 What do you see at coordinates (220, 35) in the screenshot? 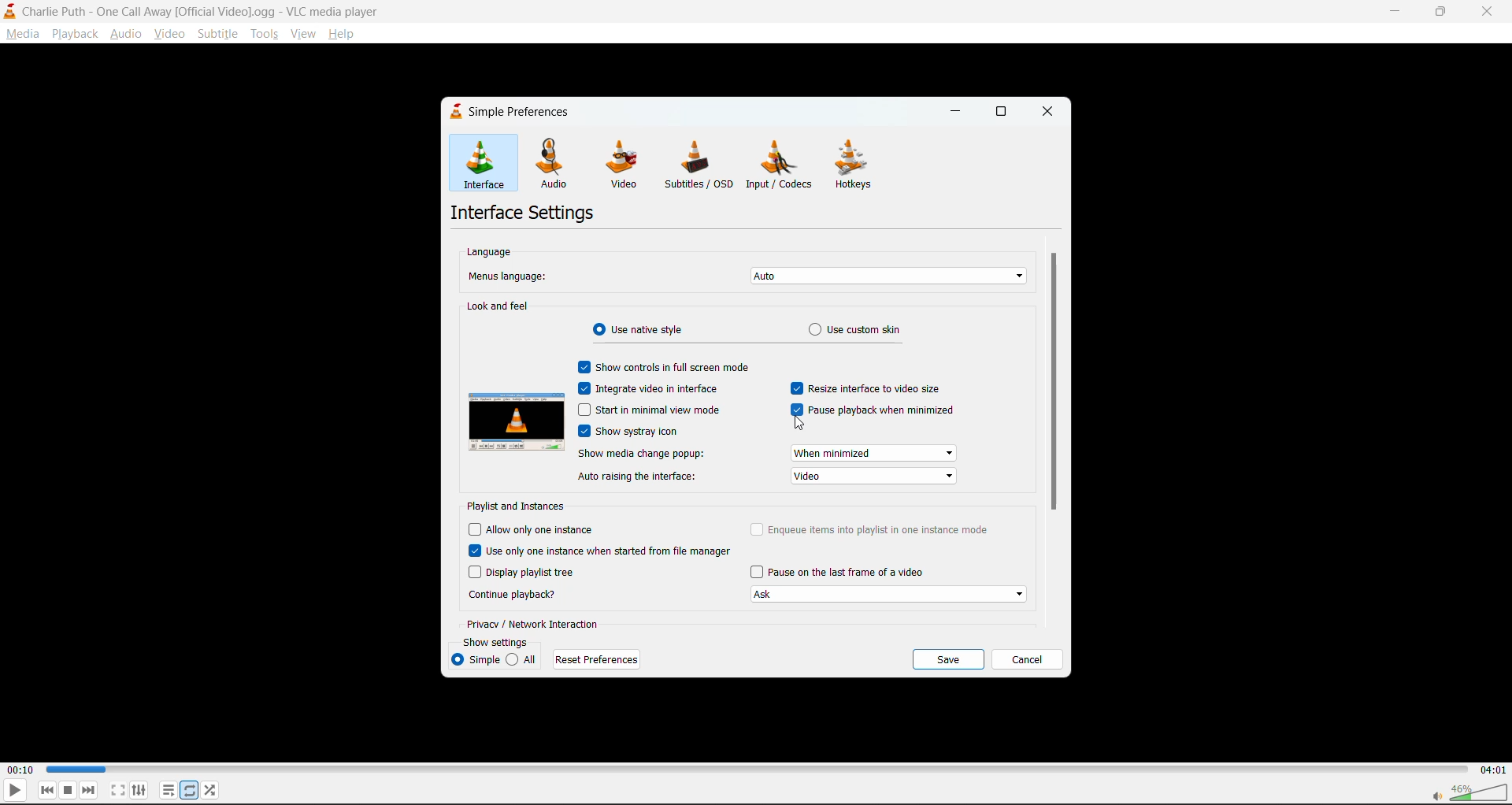
I see `subtitle` at bounding box center [220, 35].